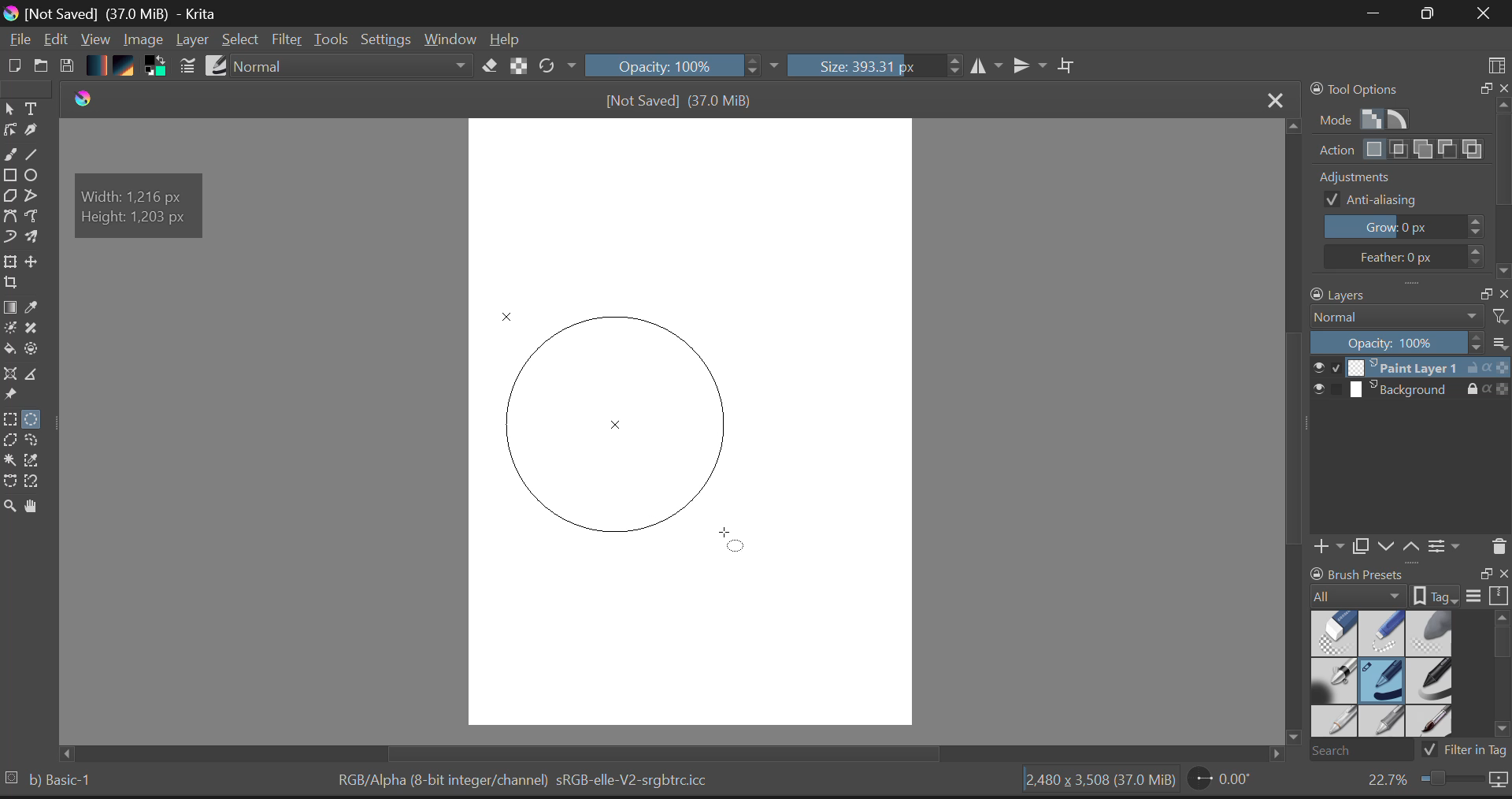  Describe the element at coordinates (1221, 782) in the screenshot. I see `Page Rotation` at that location.